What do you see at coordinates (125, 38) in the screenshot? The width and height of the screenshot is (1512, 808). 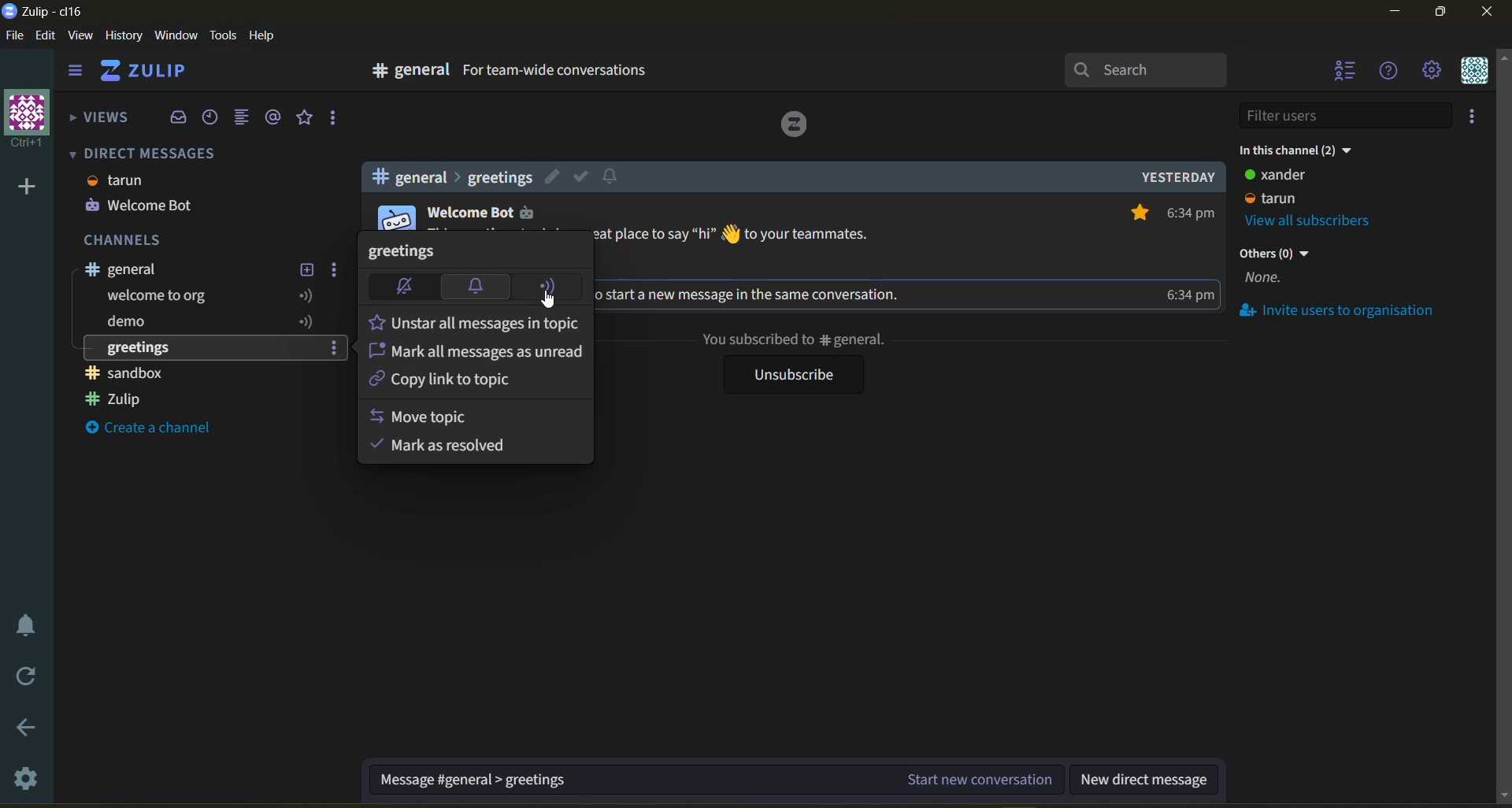 I see `history` at bounding box center [125, 38].